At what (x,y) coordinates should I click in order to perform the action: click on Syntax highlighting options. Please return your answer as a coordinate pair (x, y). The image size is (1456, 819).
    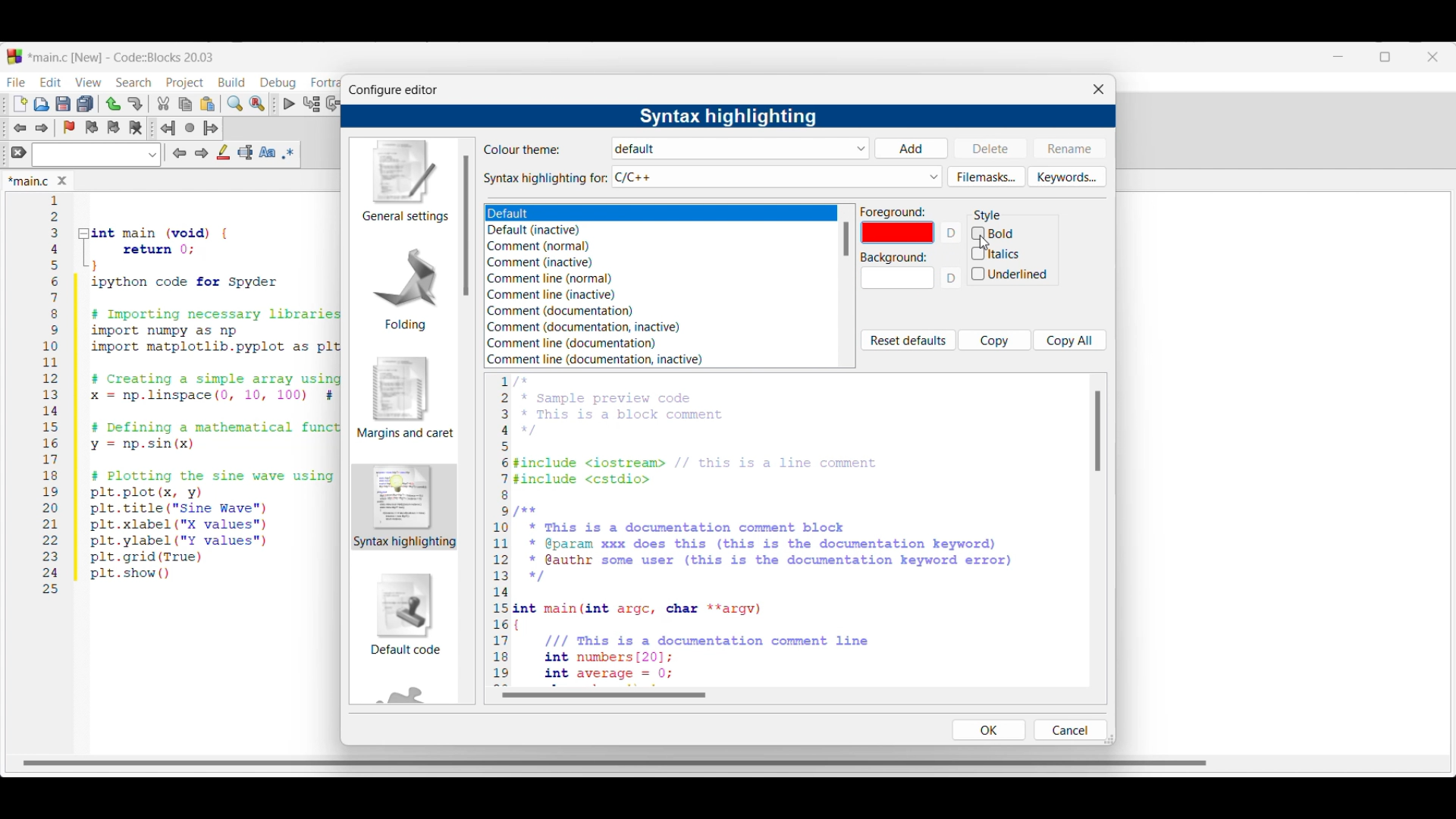
    Looking at the image, I should click on (777, 177).